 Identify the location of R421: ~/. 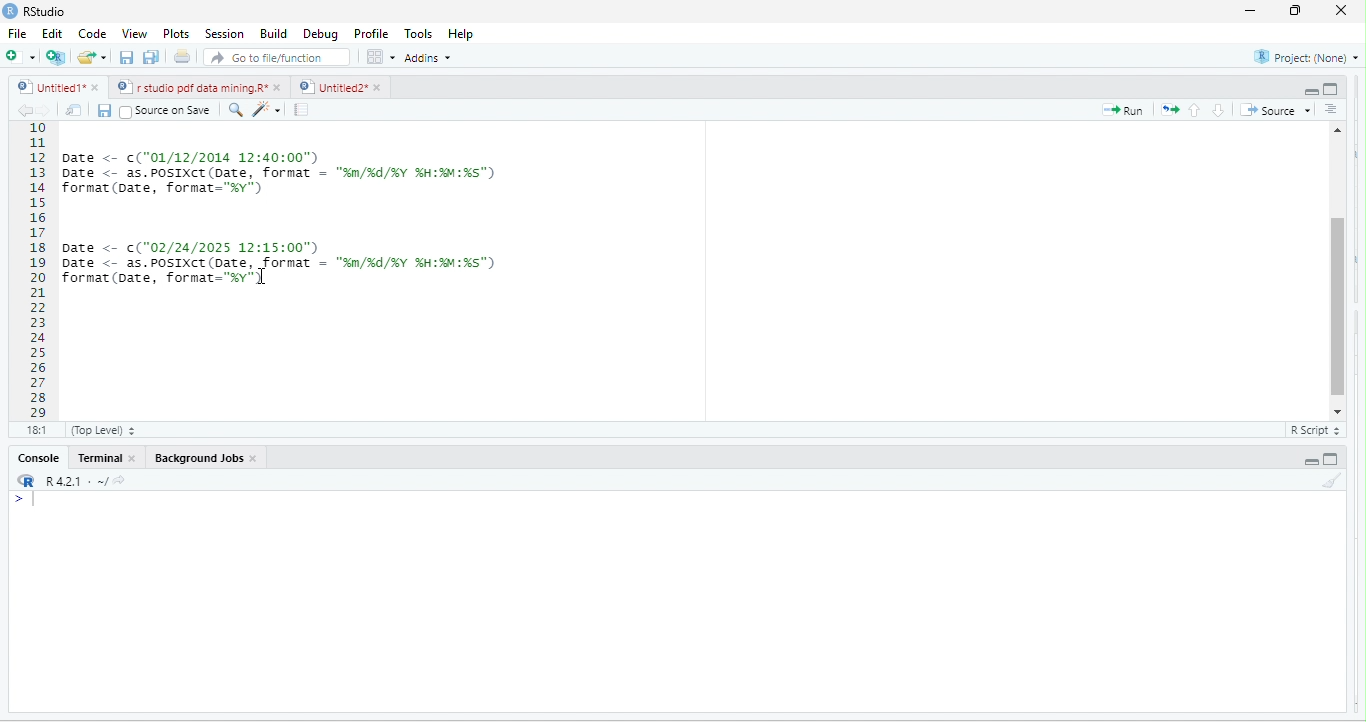
(84, 480).